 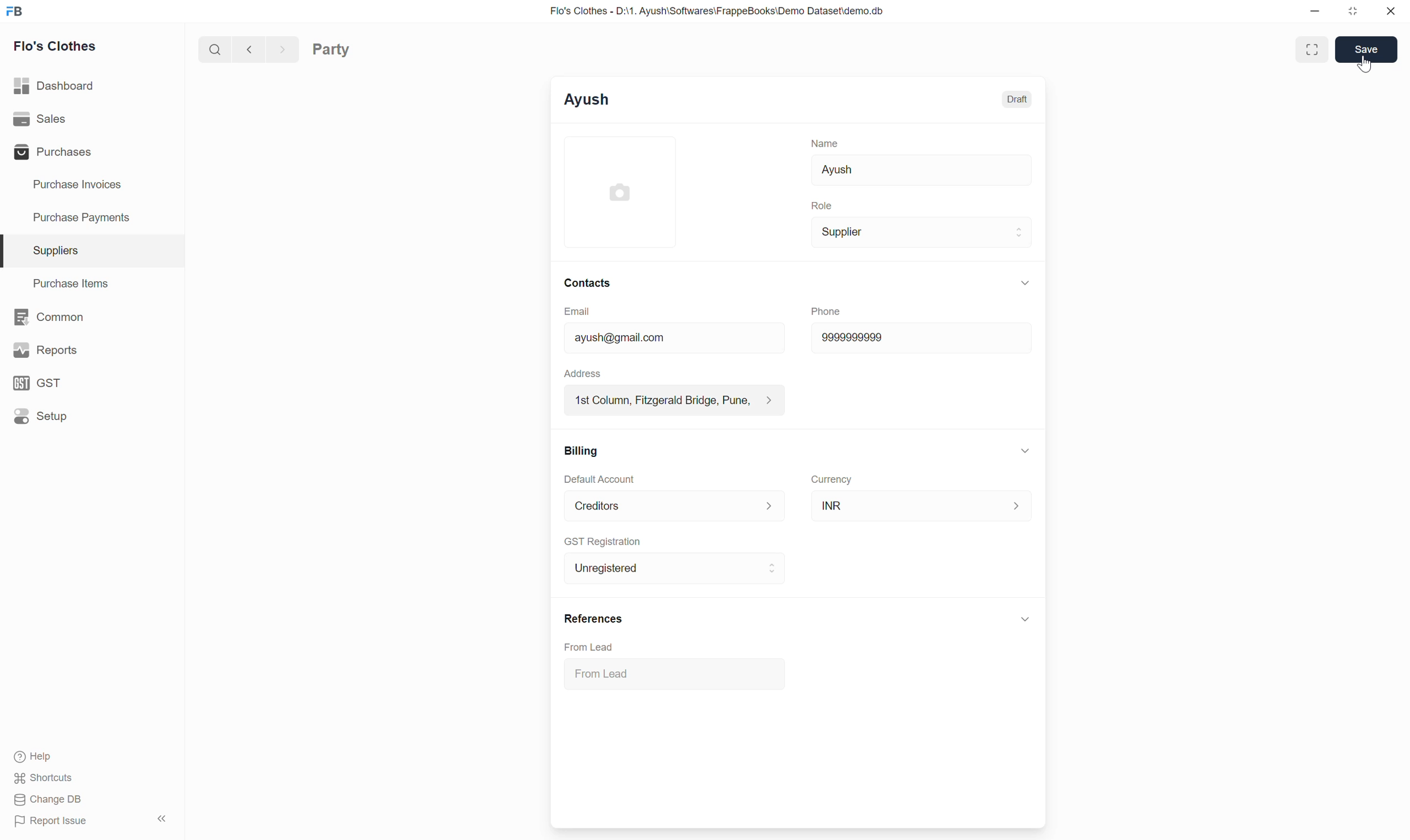 I want to click on Creditors, so click(x=676, y=506).